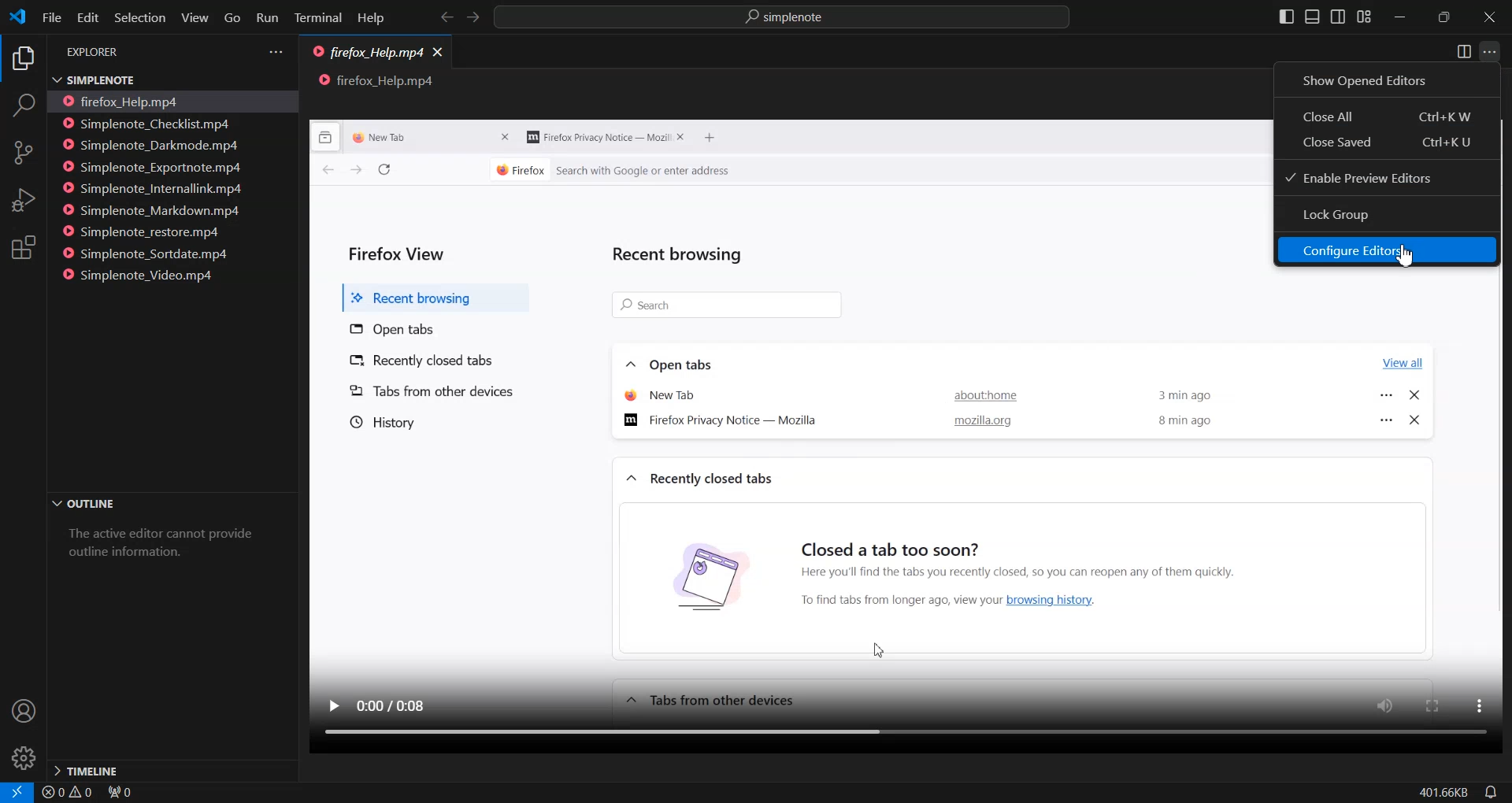  Describe the element at coordinates (1388, 215) in the screenshot. I see `Look Group` at that location.